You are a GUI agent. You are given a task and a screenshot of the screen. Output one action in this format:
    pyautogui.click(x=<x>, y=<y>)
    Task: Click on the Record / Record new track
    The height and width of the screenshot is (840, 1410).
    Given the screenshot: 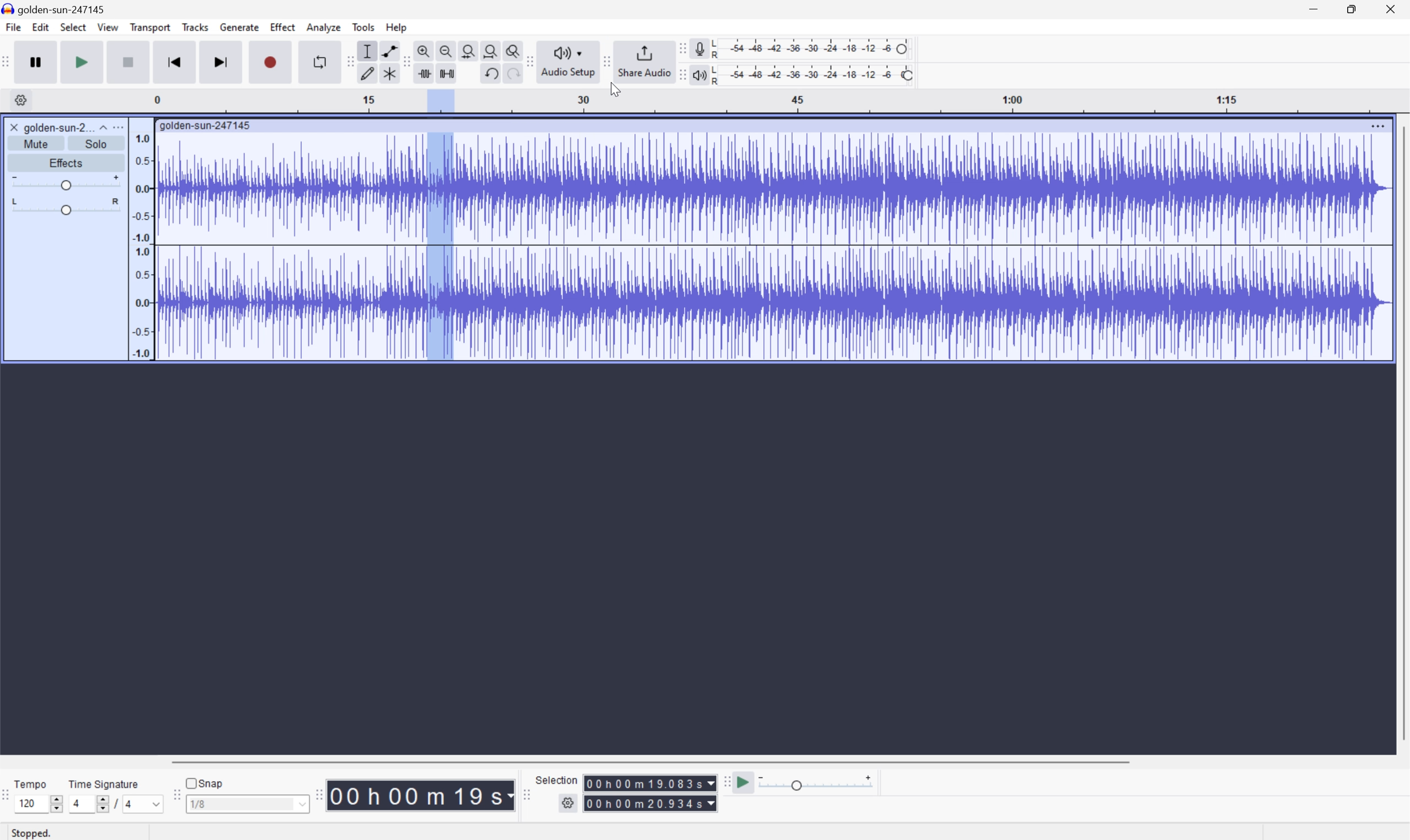 What is the action you would take?
    pyautogui.click(x=272, y=62)
    